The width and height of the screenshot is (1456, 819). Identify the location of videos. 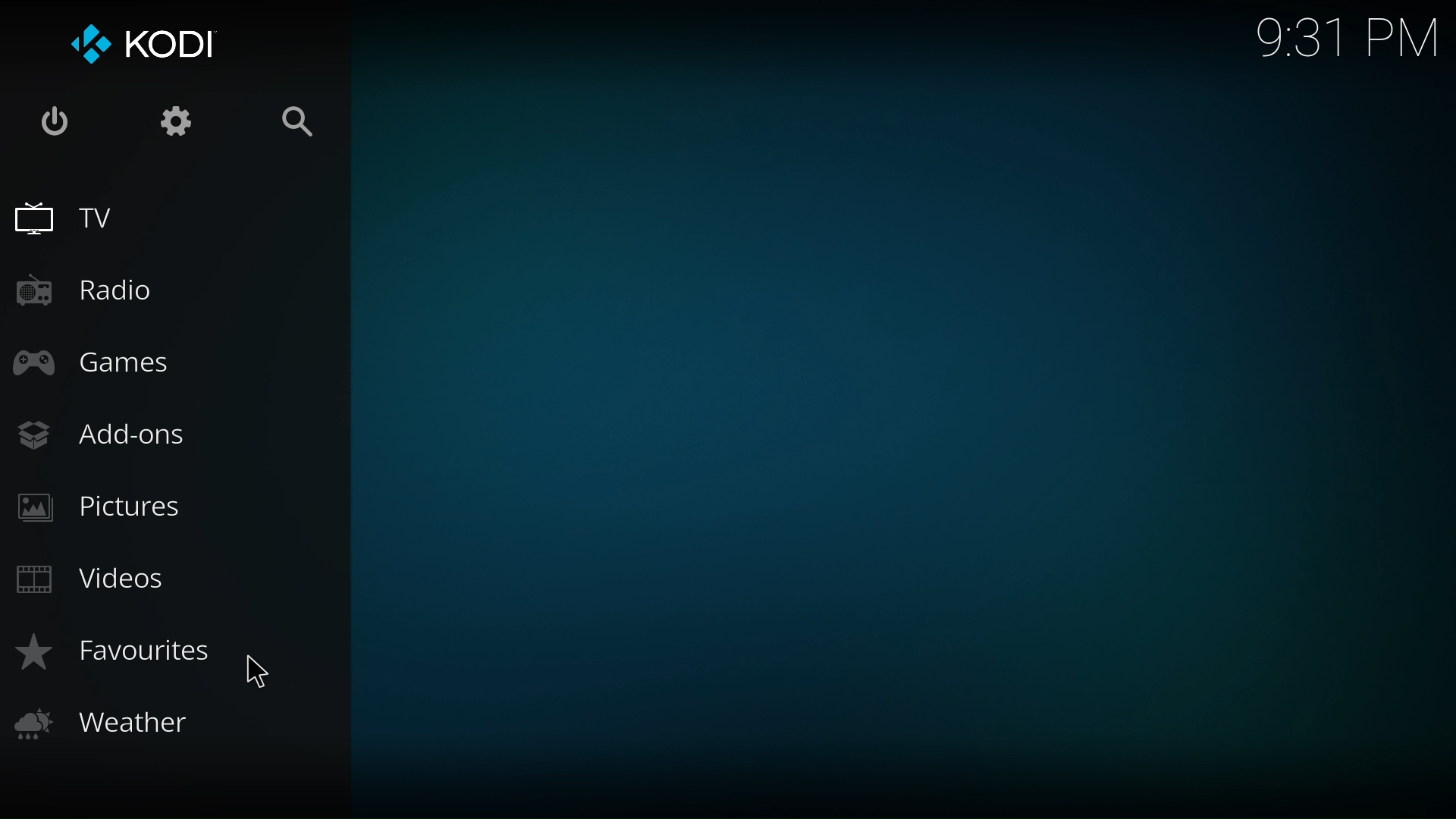
(96, 579).